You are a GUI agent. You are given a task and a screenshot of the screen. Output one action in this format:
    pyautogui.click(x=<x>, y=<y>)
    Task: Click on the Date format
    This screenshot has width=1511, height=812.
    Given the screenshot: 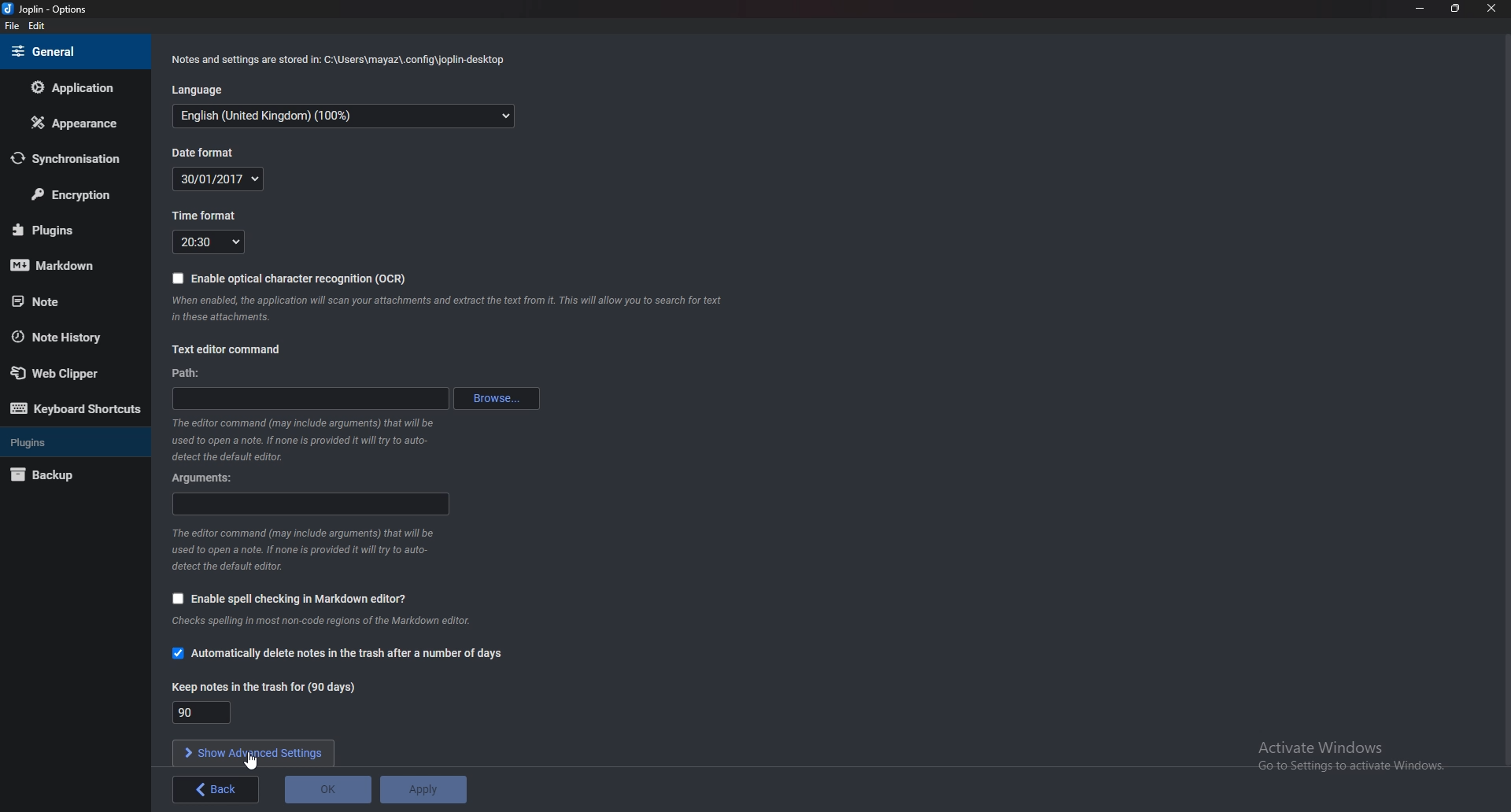 What is the action you would take?
    pyautogui.click(x=201, y=153)
    